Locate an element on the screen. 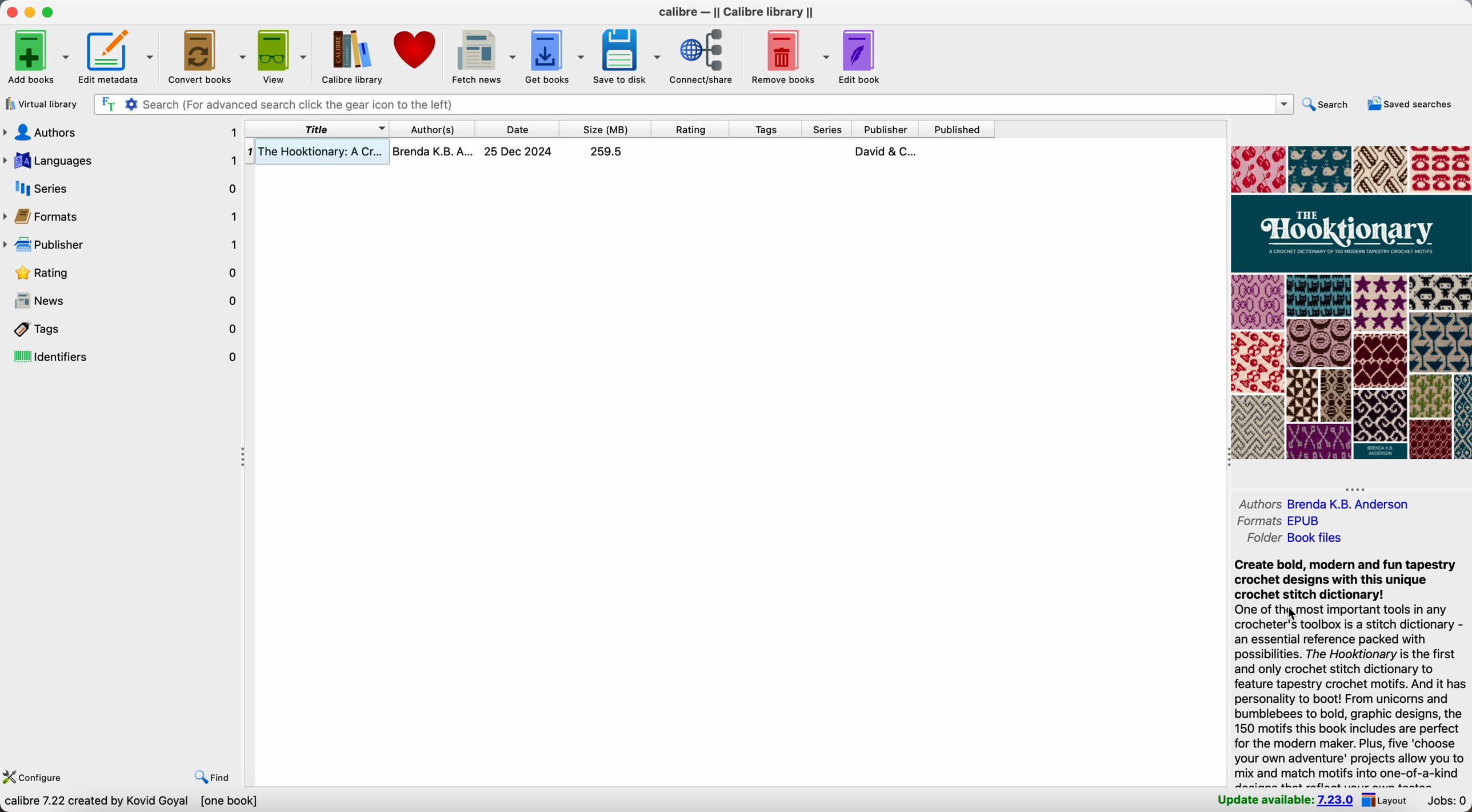 The image size is (1472, 812). publisher is located at coordinates (886, 129).